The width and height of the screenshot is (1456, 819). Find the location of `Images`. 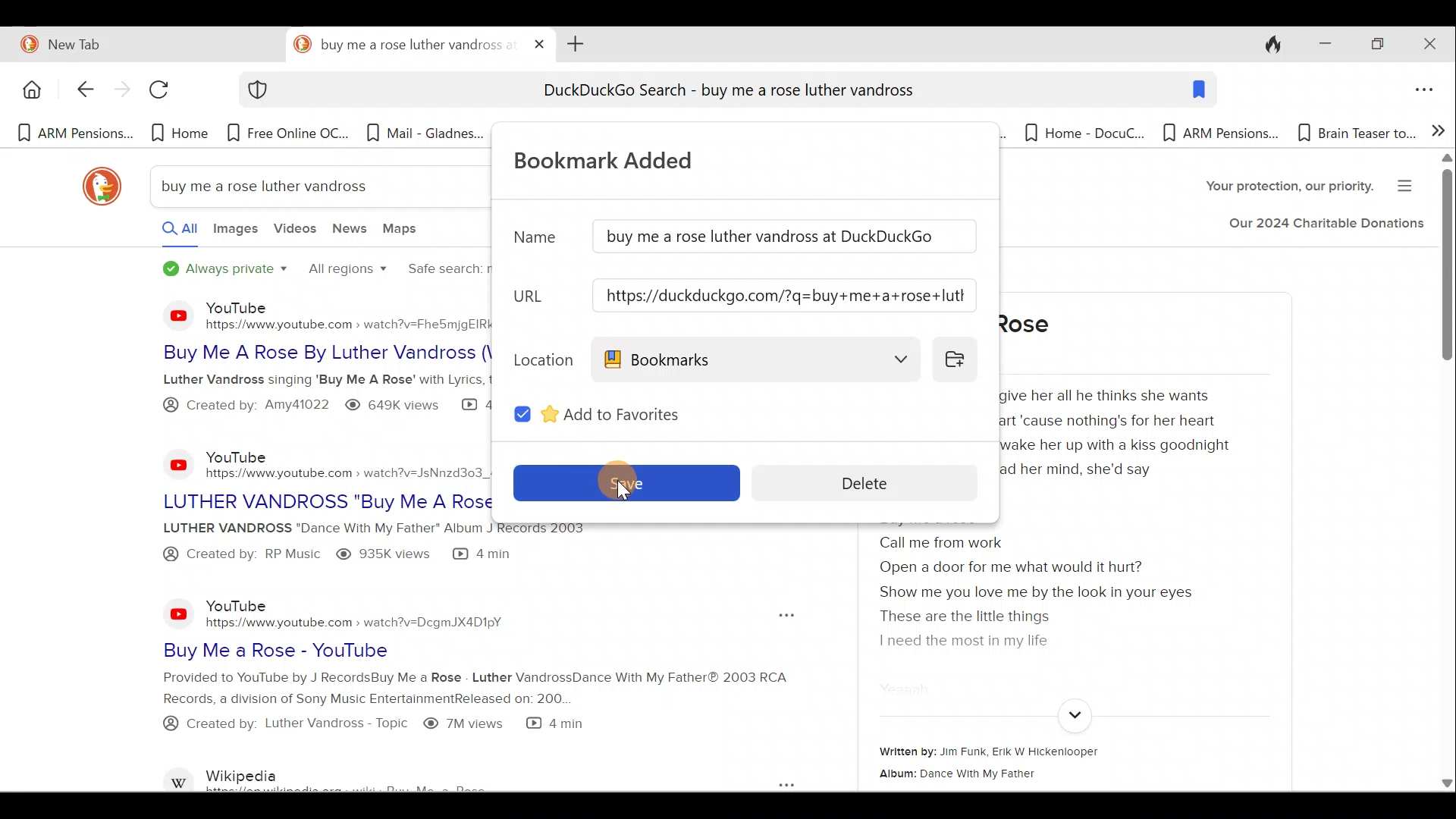

Images is located at coordinates (234, 233).